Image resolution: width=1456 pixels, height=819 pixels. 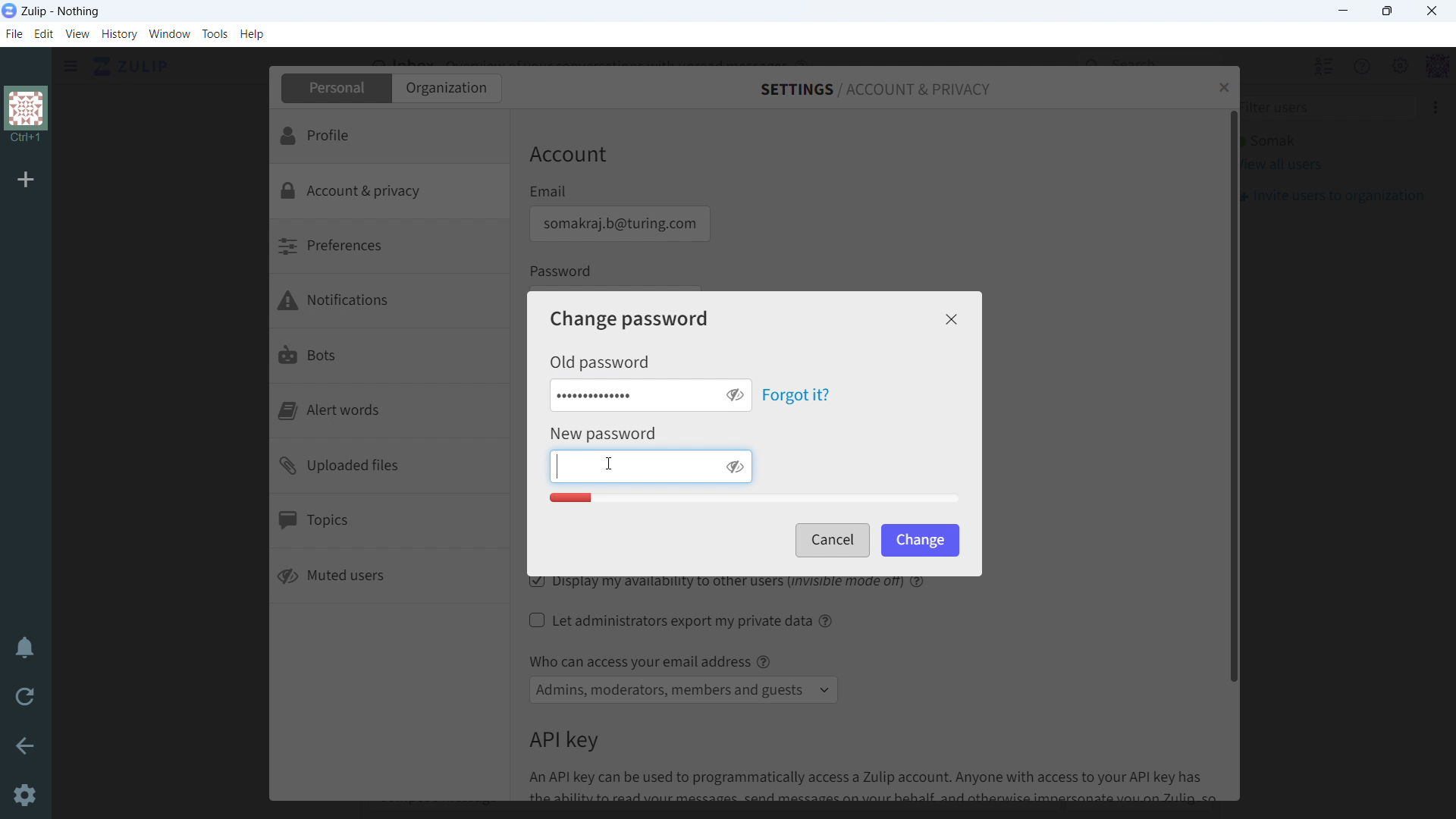 What do you see at coordinates (71, 66) in the screenshot?
I see `click to see sidebar menu` at bounding box center [71, 66].